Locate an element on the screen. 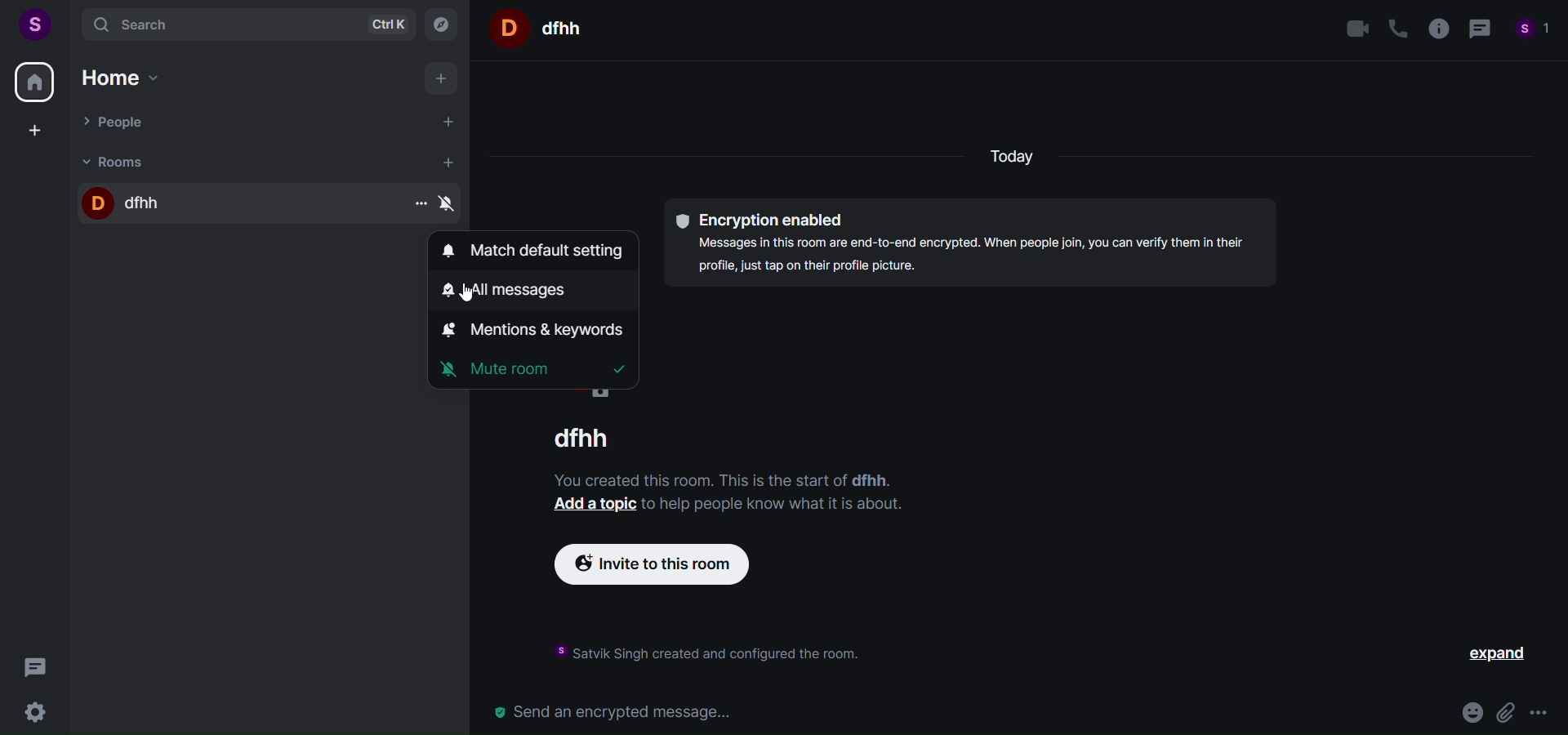 This screenshot has height=735, width=1568. mute room is located at coordinates (533, 367).